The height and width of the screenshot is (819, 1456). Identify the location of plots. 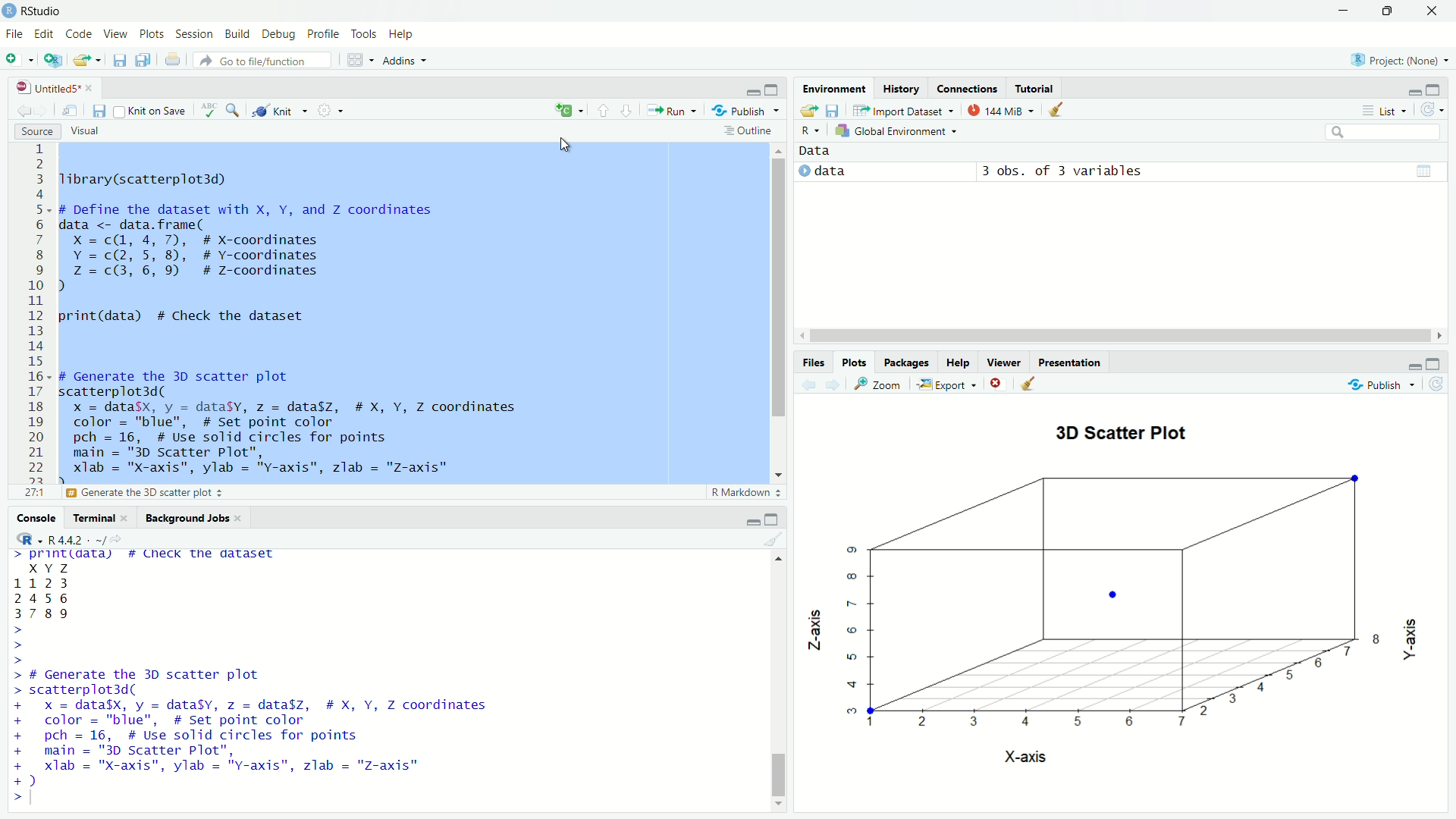
(855, 362).